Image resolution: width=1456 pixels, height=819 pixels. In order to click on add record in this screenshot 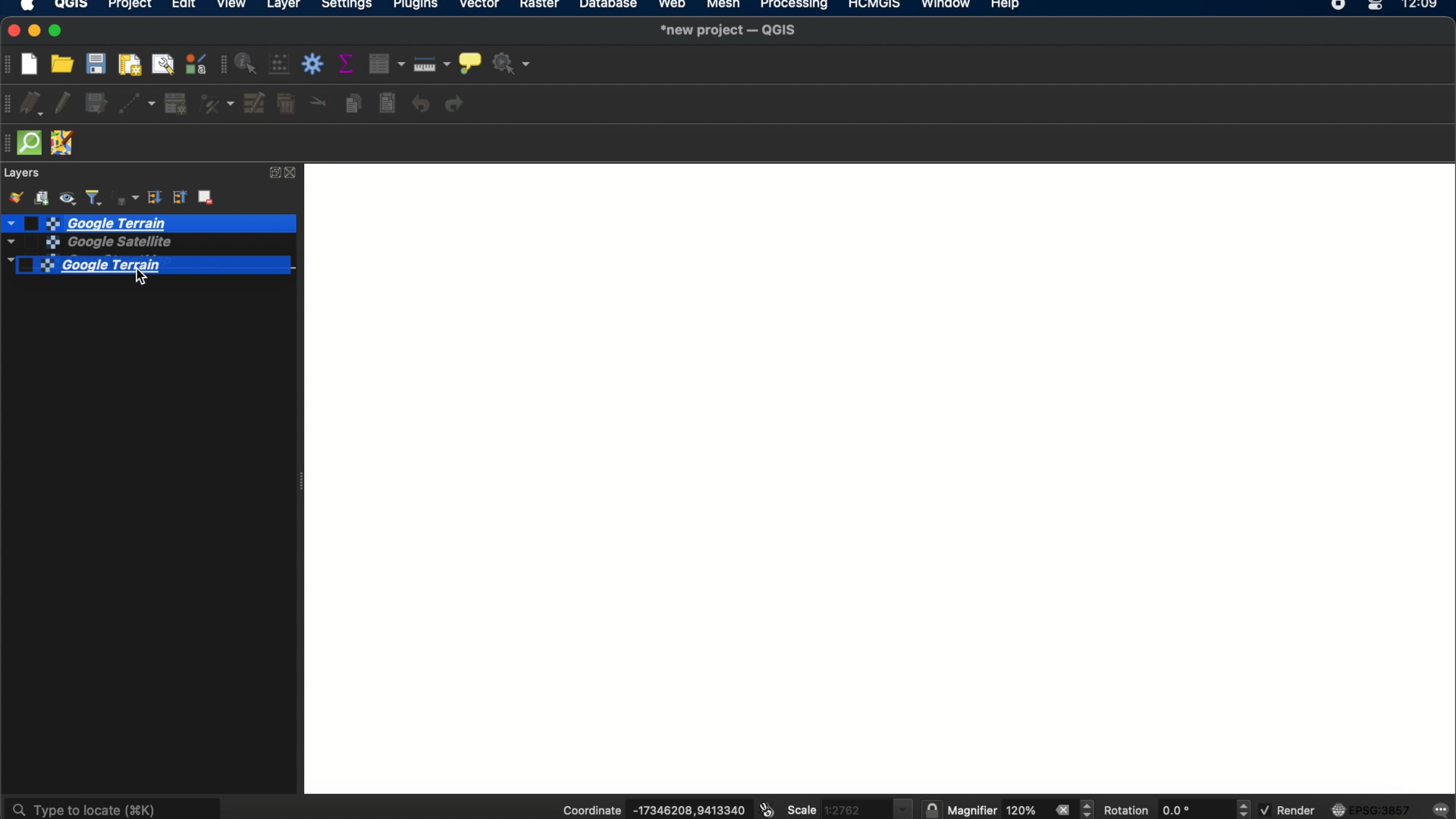, I will do `click(175, 104)`.